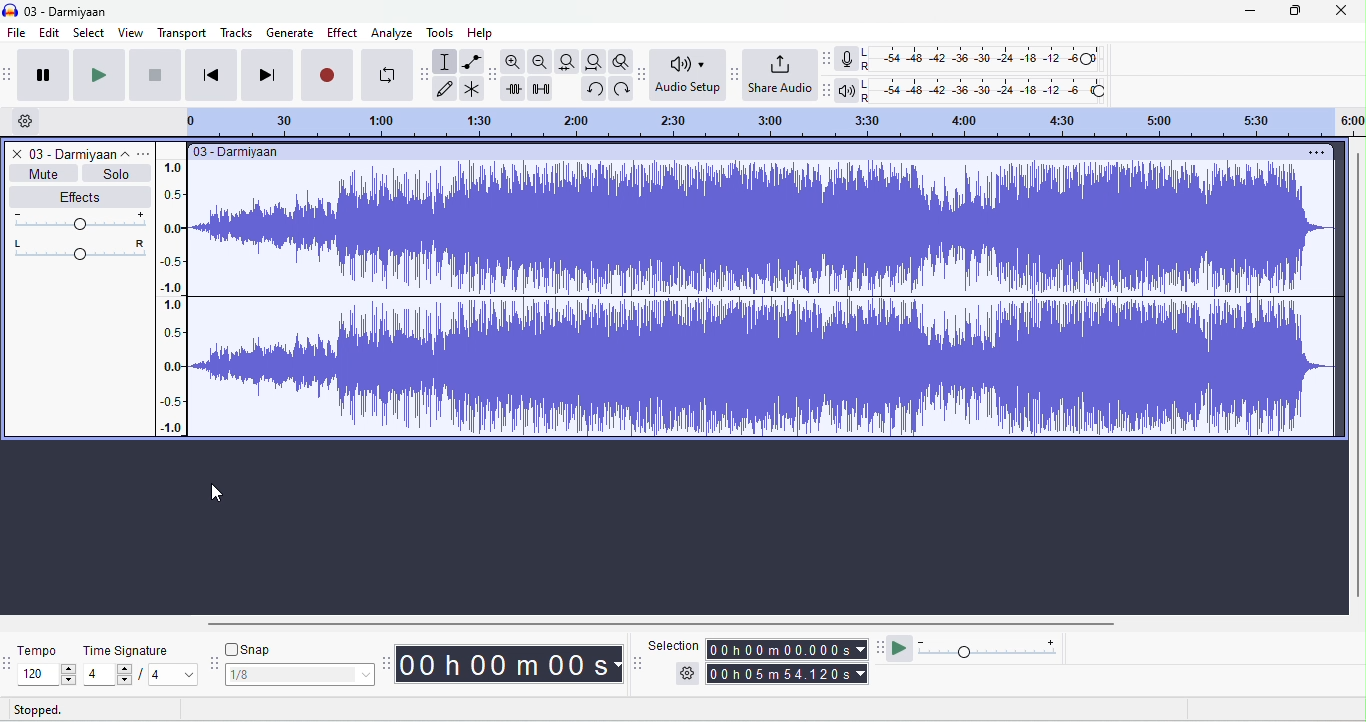  I want to click on audacity audio transport toolbar, so click(9, 74).